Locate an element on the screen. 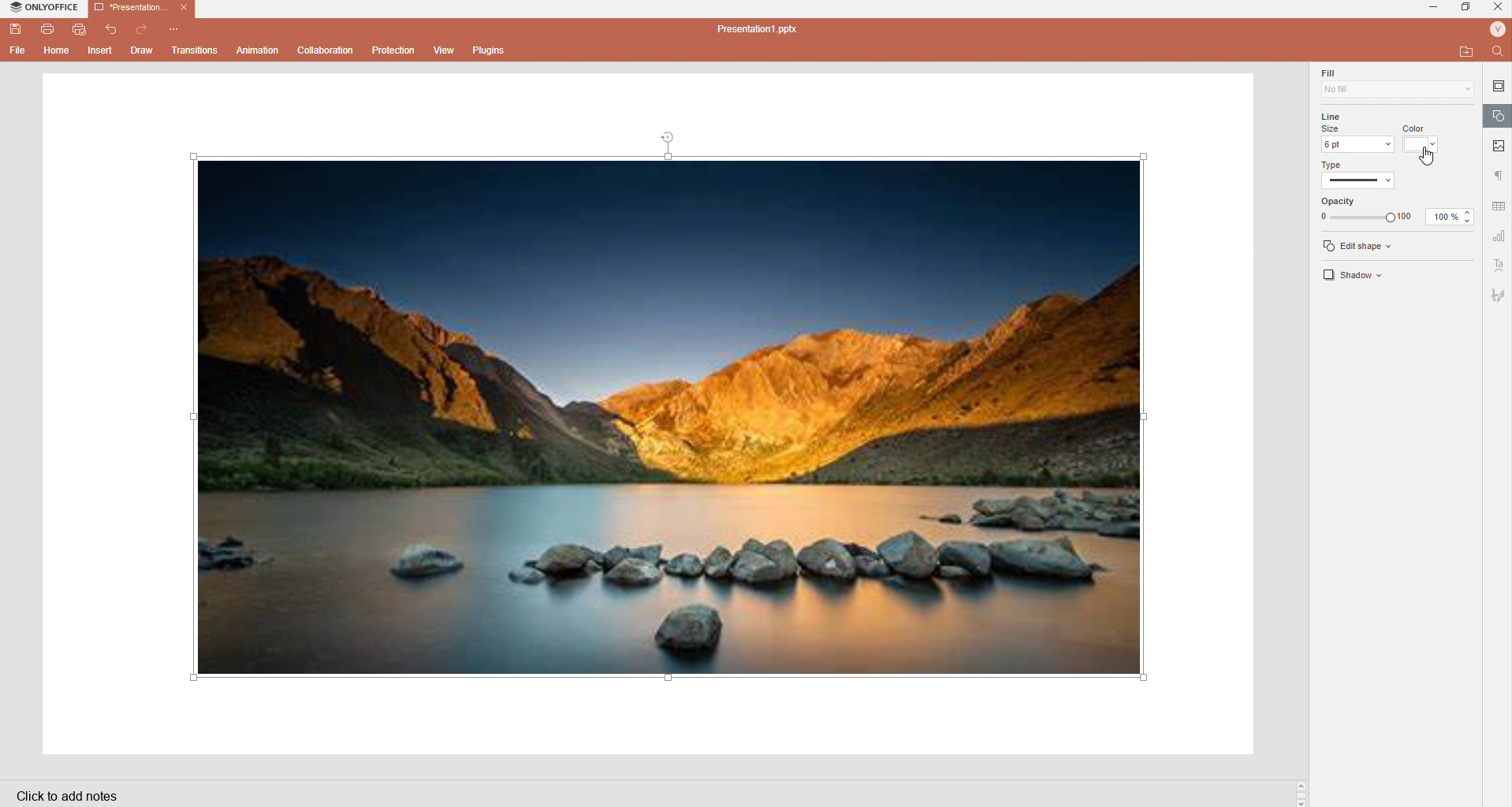 Image resolution: width=1512 pixels, height=807 pixels. Close is located at coordinates (1499, 9).